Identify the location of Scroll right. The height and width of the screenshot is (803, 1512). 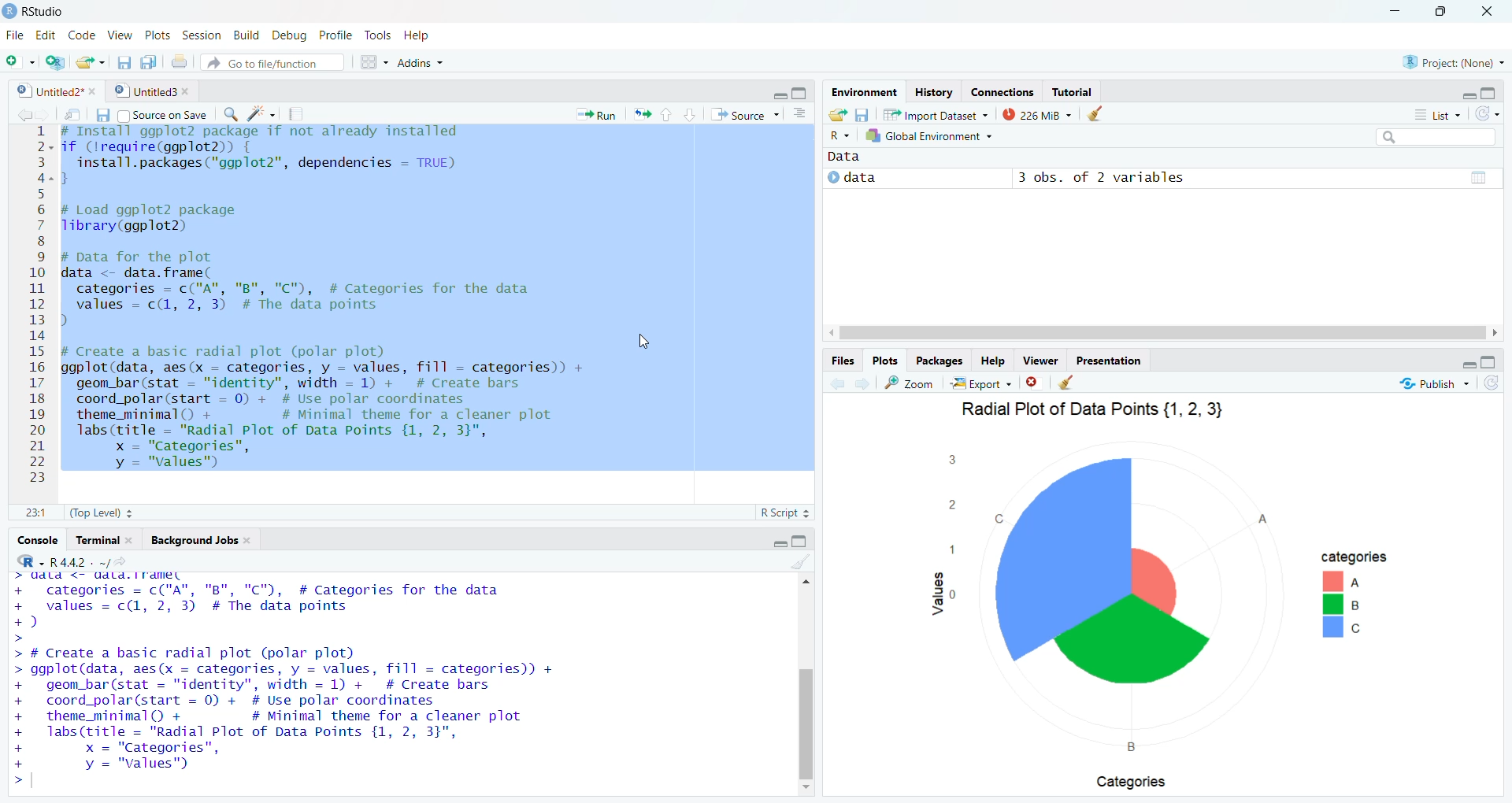
(1488, 332).